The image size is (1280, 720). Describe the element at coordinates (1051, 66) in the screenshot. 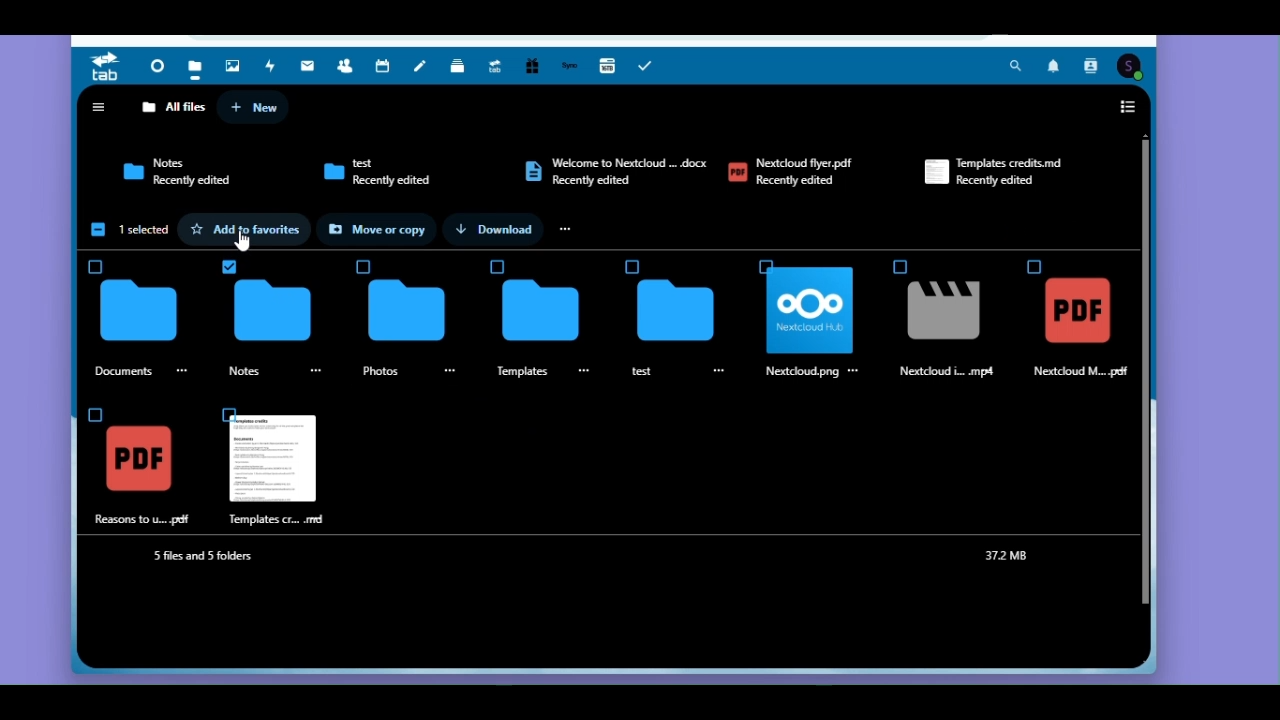

I see `Notification` at that location.